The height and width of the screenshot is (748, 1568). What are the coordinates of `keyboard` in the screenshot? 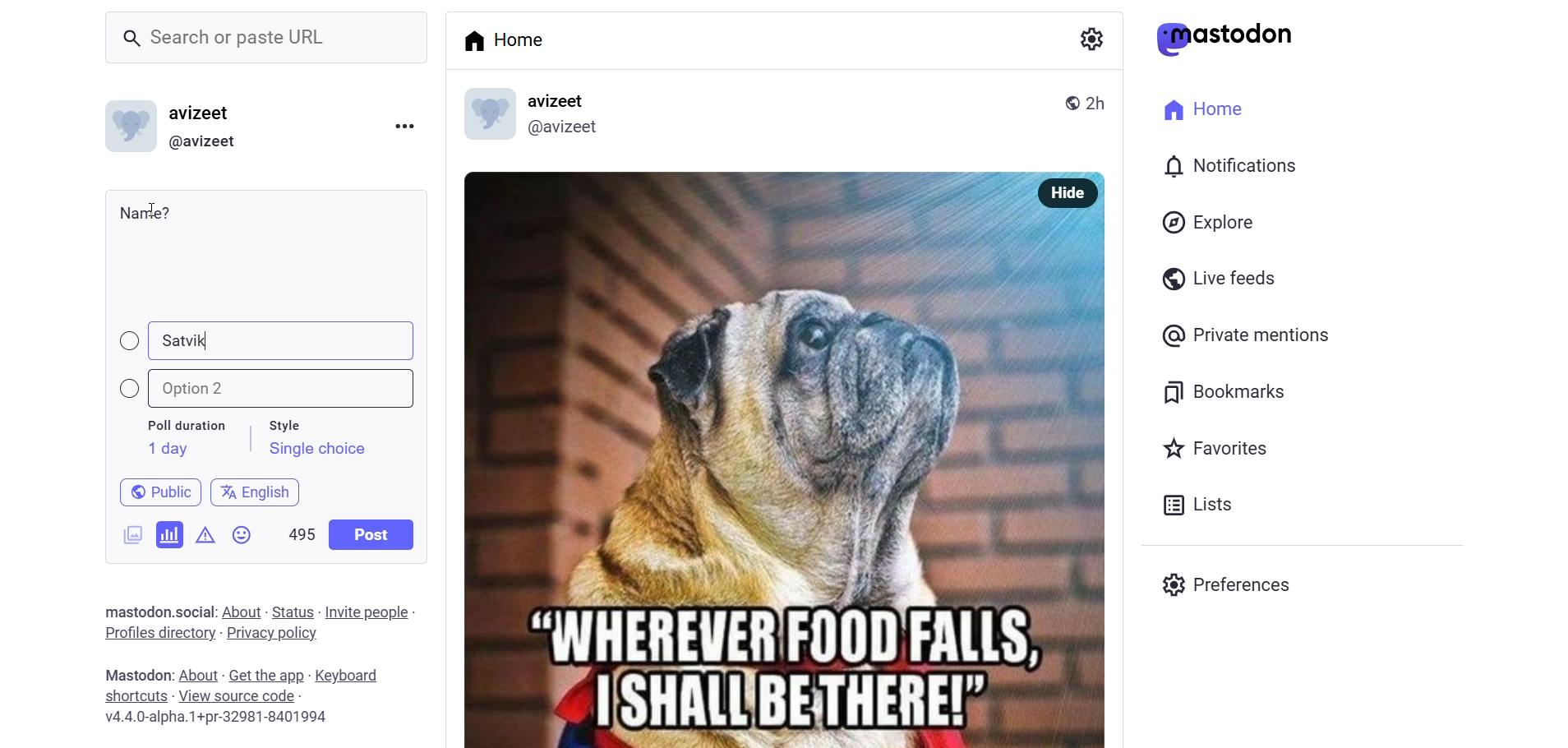 It's located at (354, 676).